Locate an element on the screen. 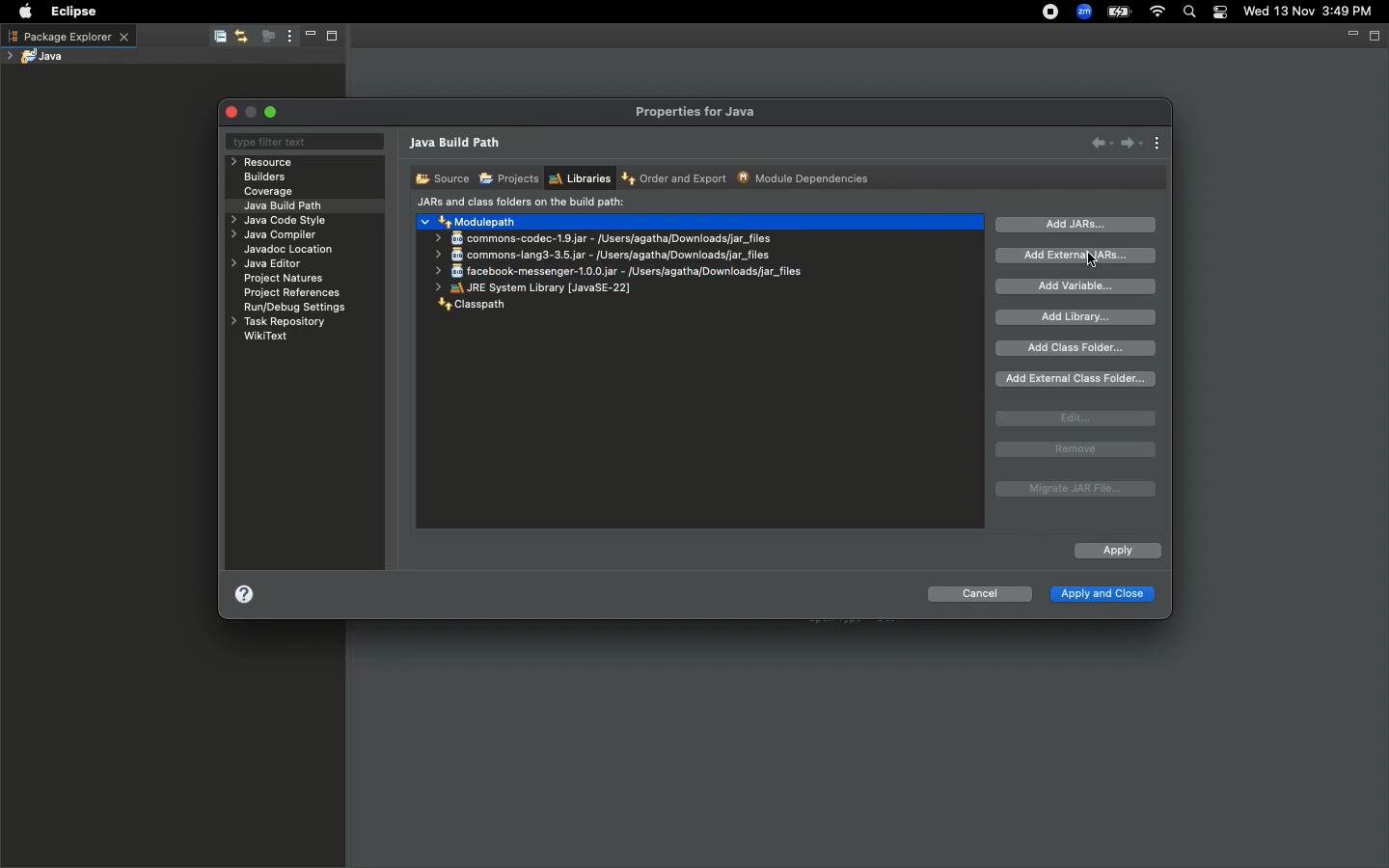  Forward is located at coordinates (1131, 143).